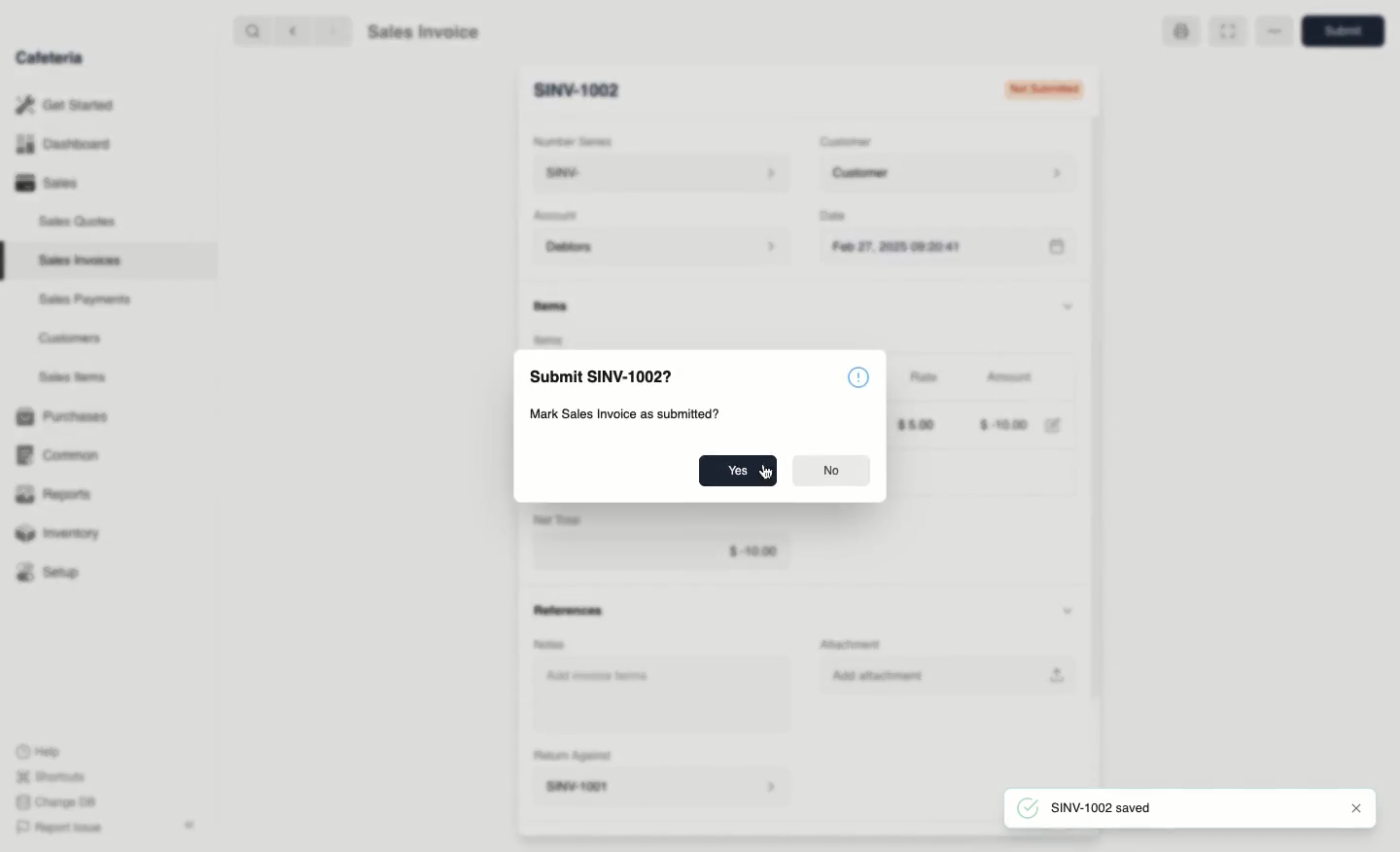 The height and width of the screenshot is (852, 1400). What do you see at coordinates (1342, 31) in the screenshot?
I see `Submit` at bounding box center [1342, 31].